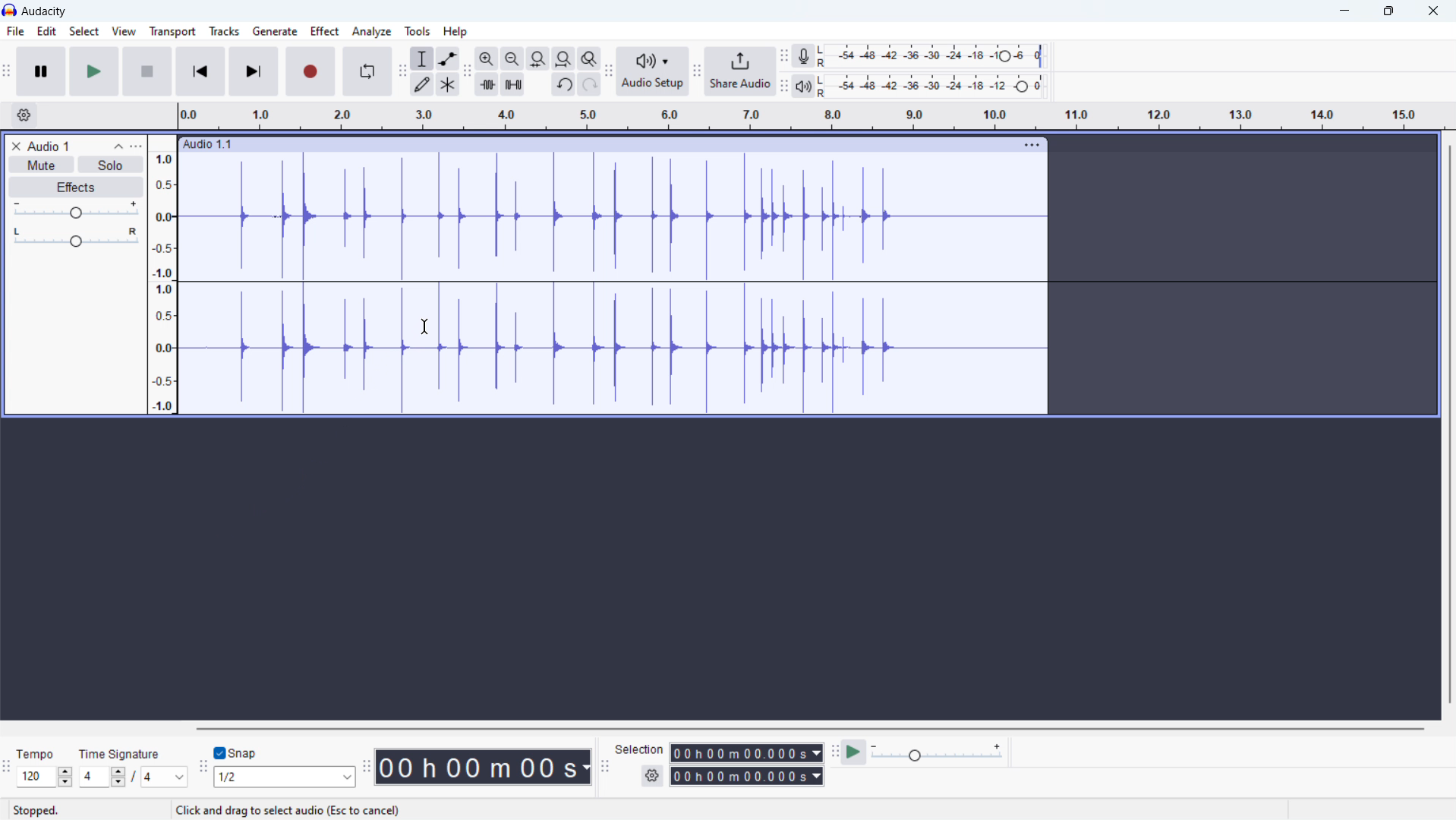 The width and height of the screenshot is (1456, 820). What do you see at coordinates (402, 71) in the screenshot?
I see `tools toolbar` at bounding box center [402, 71].